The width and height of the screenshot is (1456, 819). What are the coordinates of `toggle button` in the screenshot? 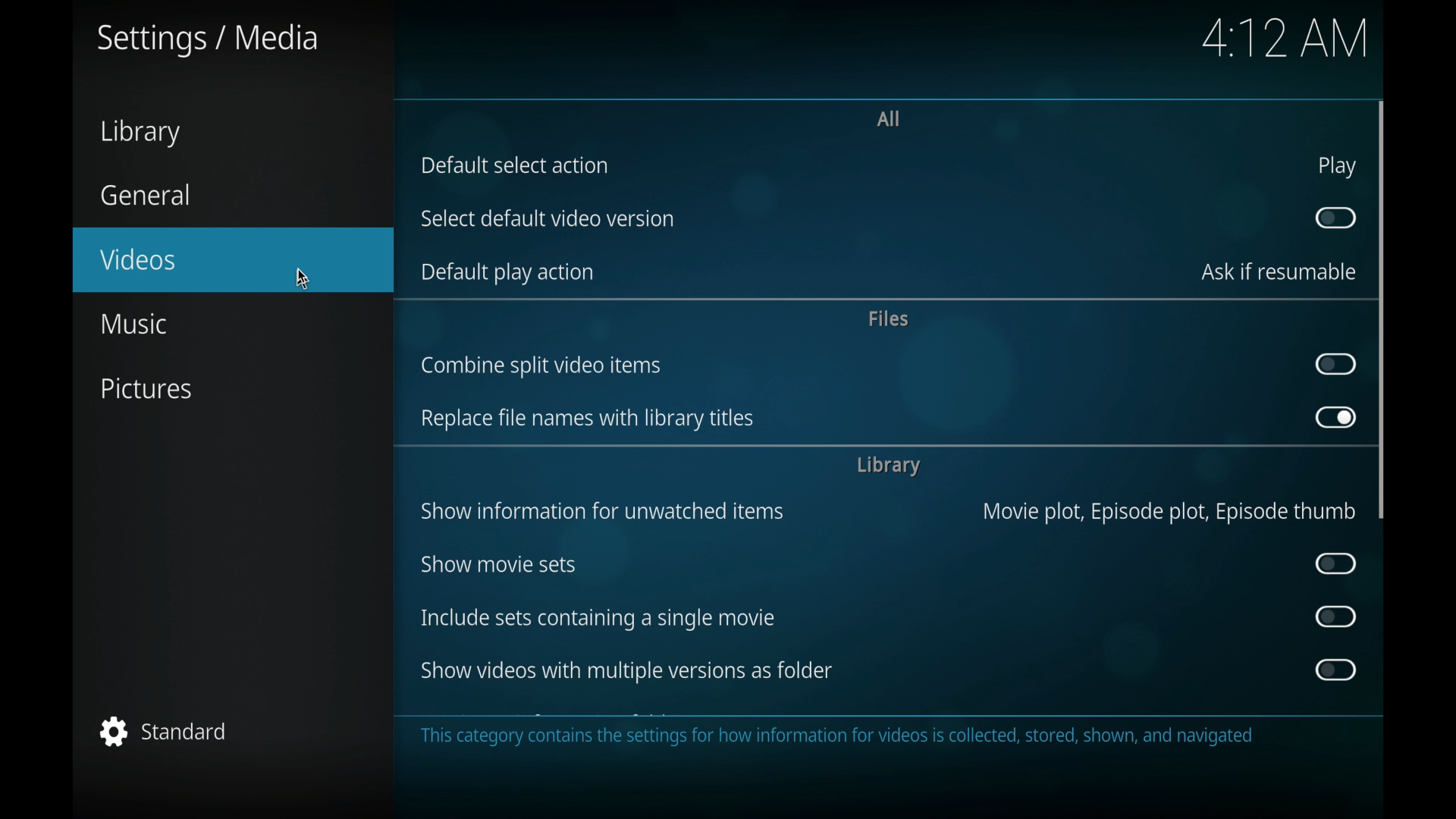 It's located at (1336, 617).